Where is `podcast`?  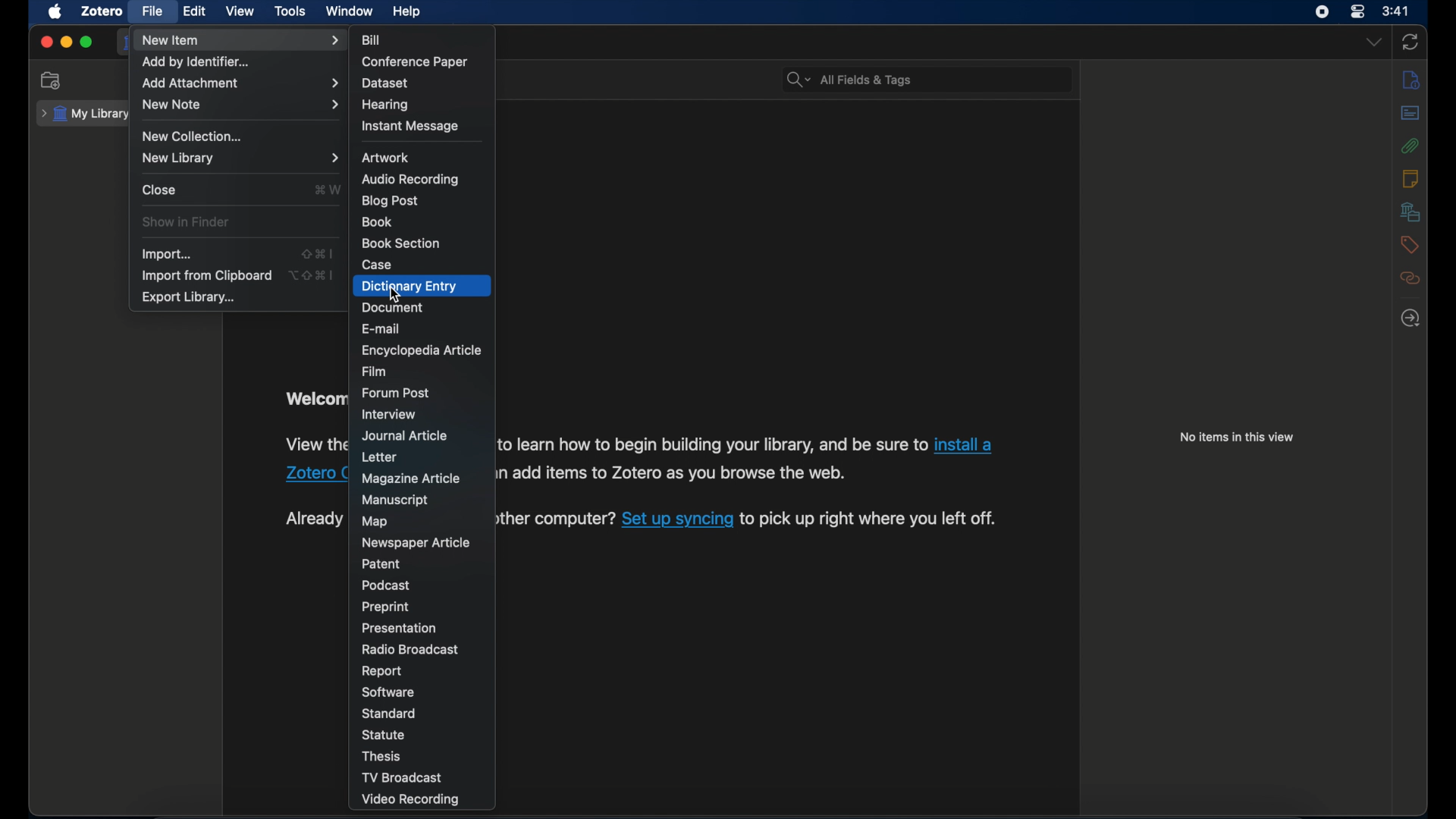
podcast is located at coordinates (387, 585).